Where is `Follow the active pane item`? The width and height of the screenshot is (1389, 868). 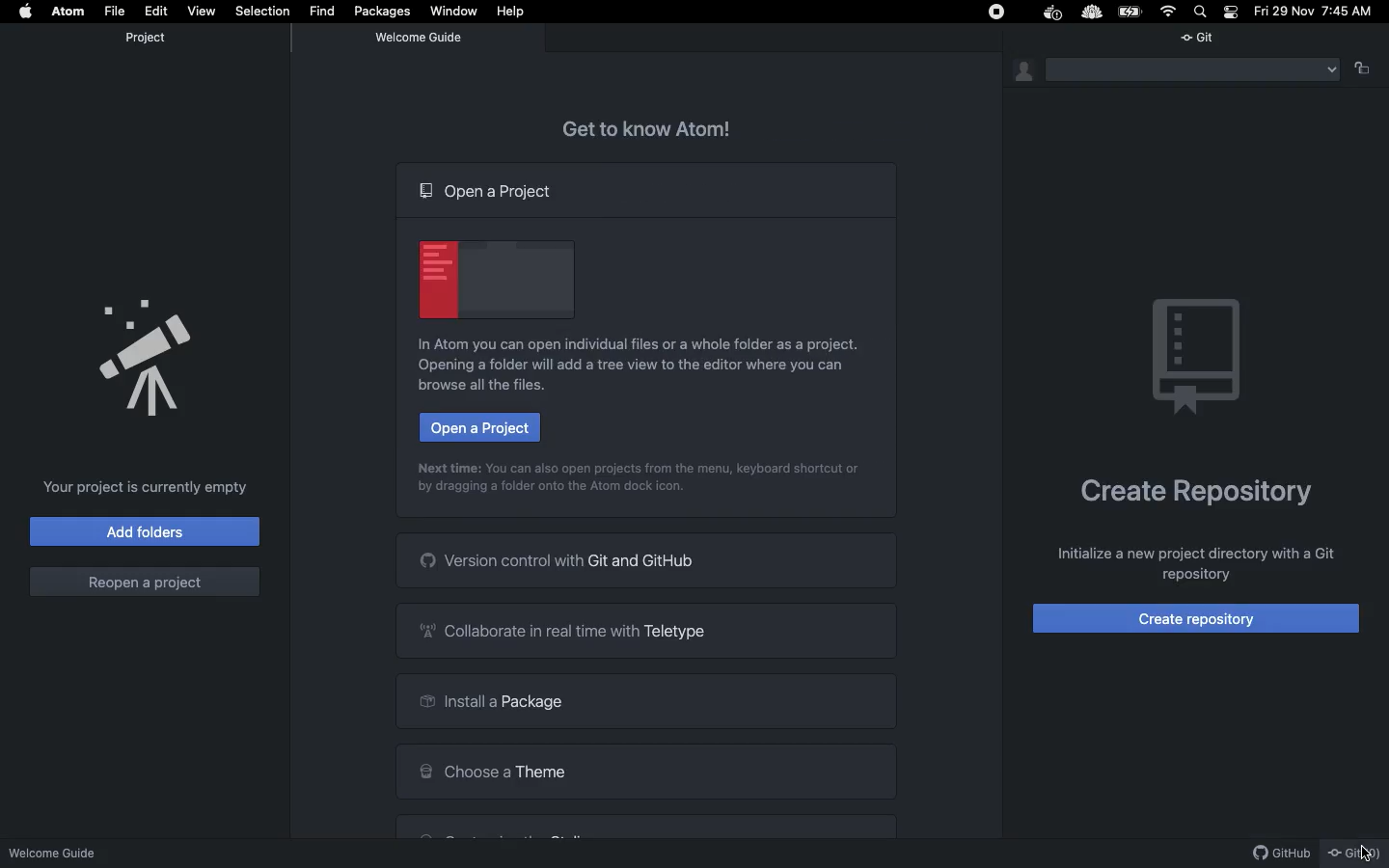 Follow the active pane item is located at coordinates (1367, 69).